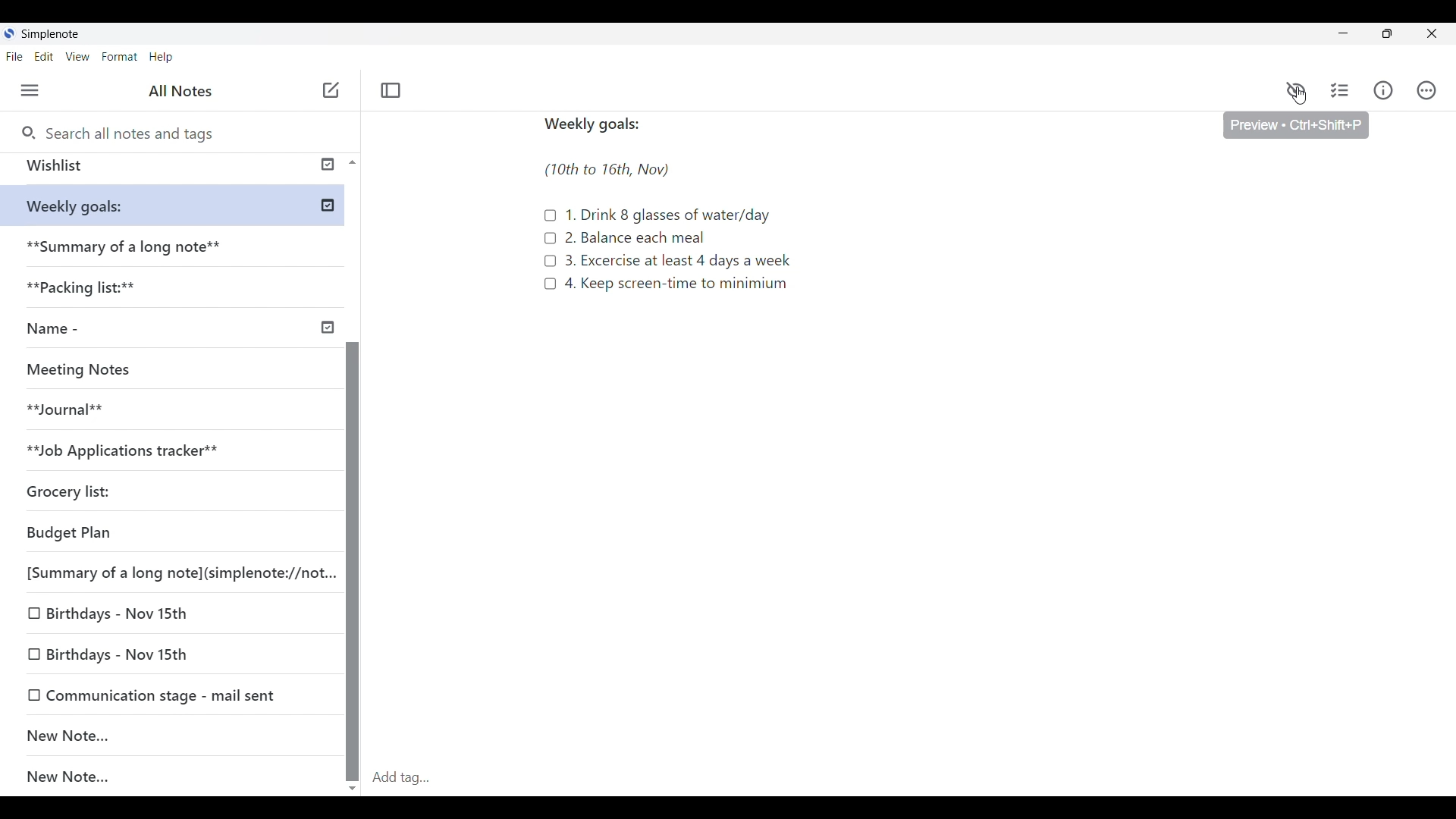 The height and width of the screenshot is (819, 1456). What do you see at coordinates (162, 58) in the screenshot?
I see `Help` at bounding box center [162, 58].